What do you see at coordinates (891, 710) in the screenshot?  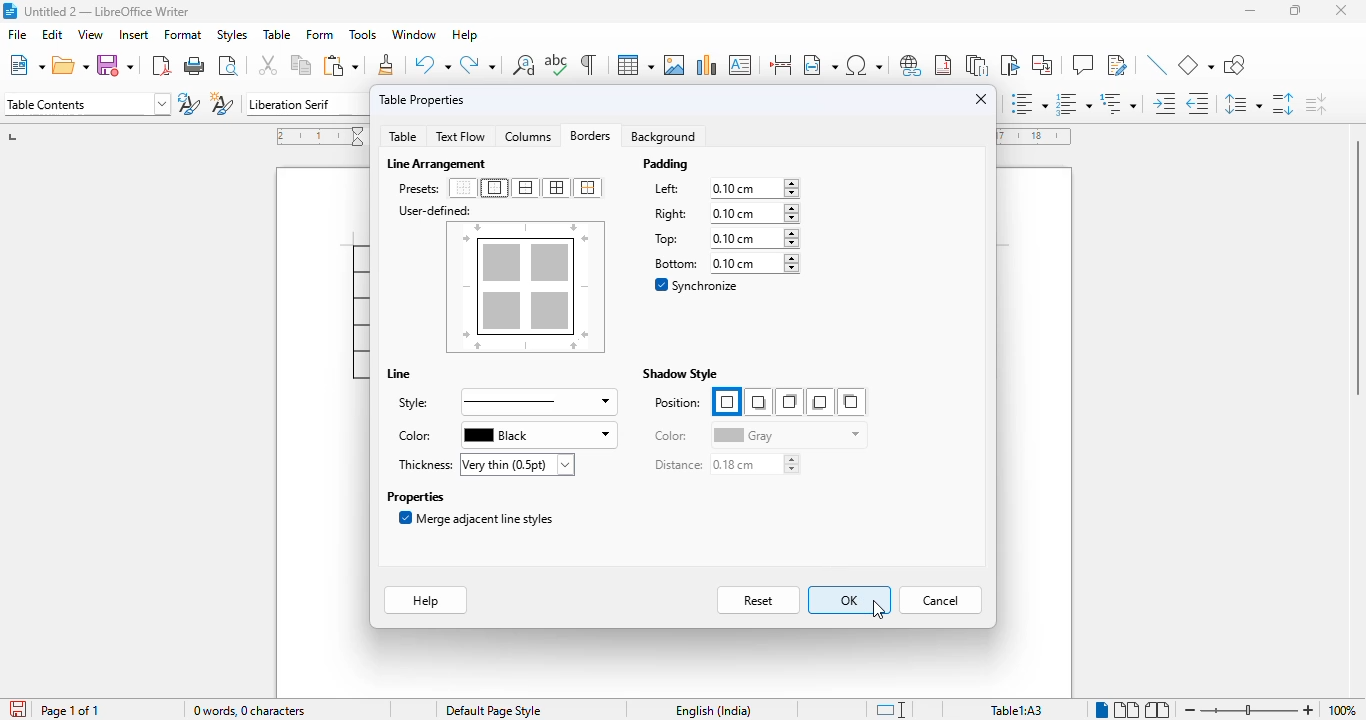 I see `standard selection` at bounding box center [891, 710].